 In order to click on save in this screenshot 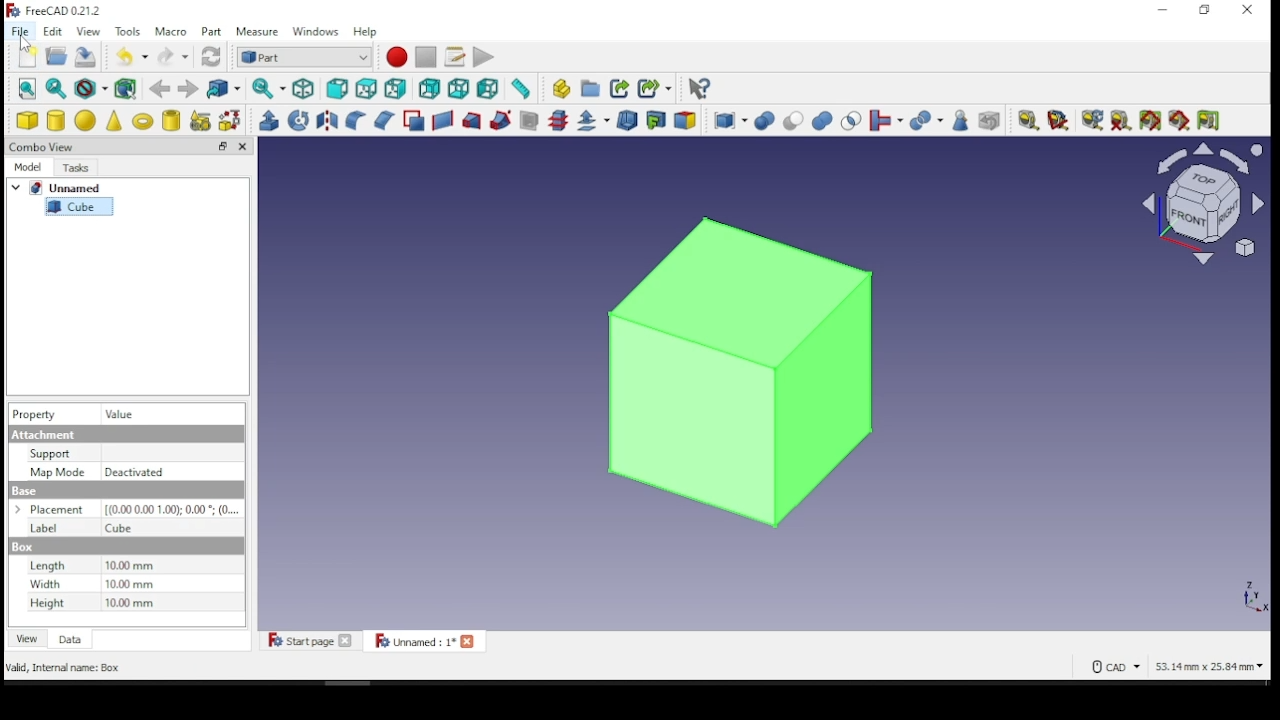, I will do `click(87, 55)`.